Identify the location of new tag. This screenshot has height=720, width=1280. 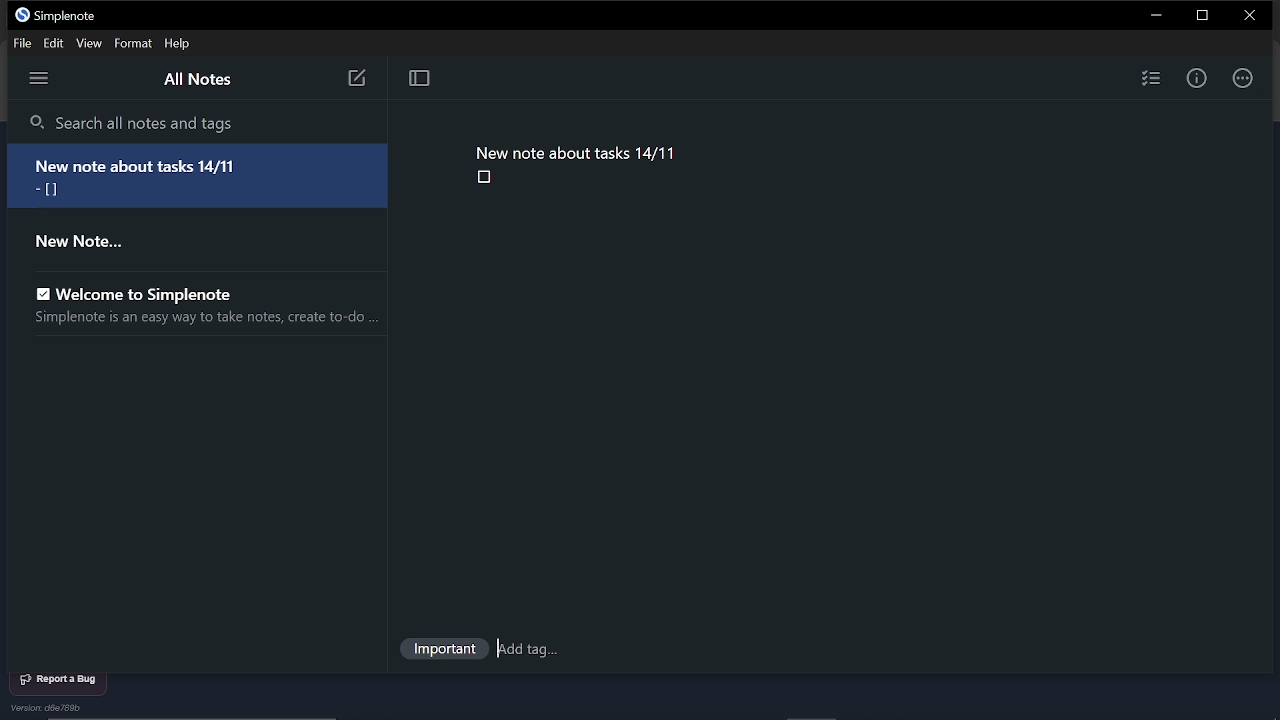
(534, 649).